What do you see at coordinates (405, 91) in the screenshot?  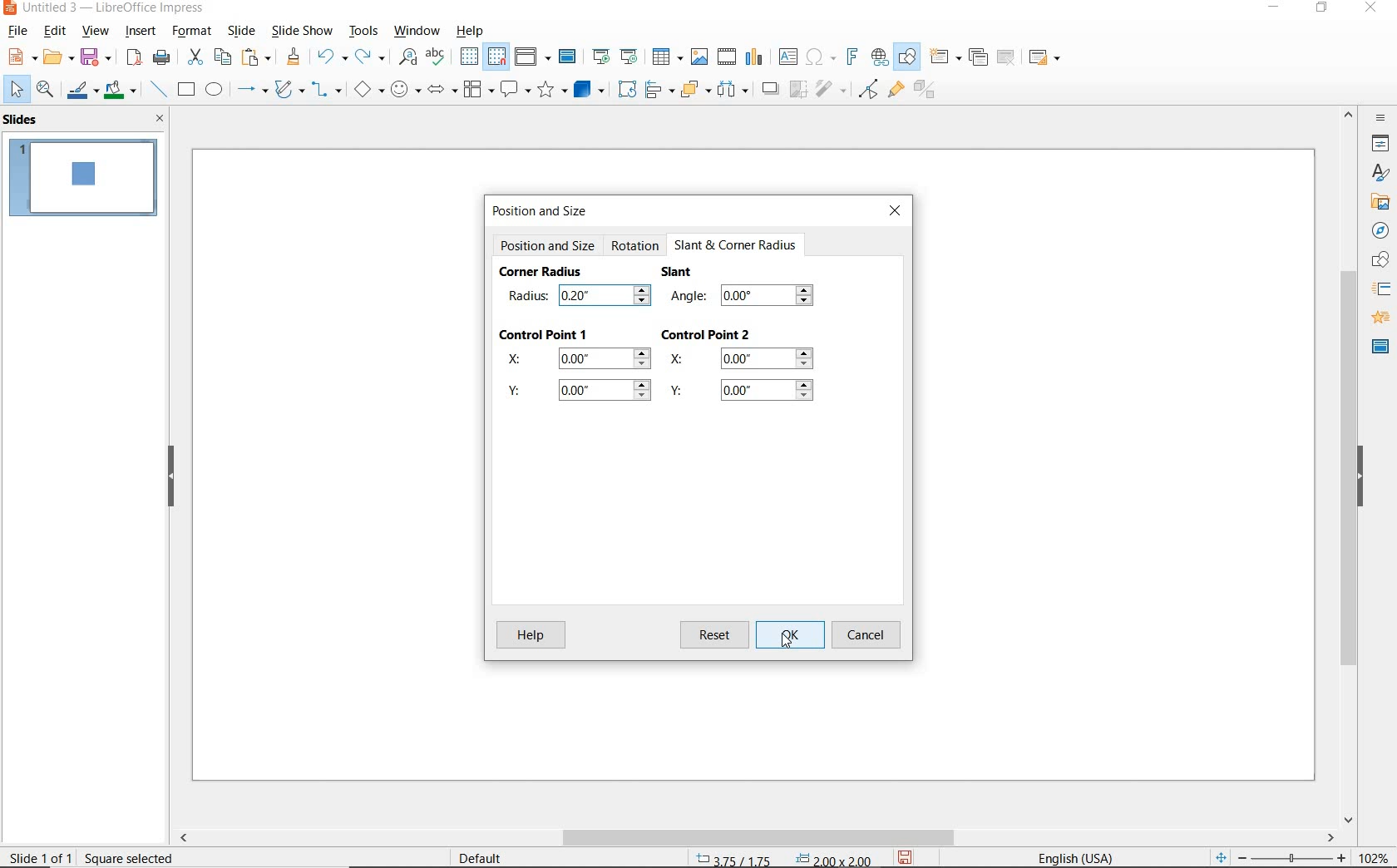 I see `symbol shapes` at bounding box center [405, 91].